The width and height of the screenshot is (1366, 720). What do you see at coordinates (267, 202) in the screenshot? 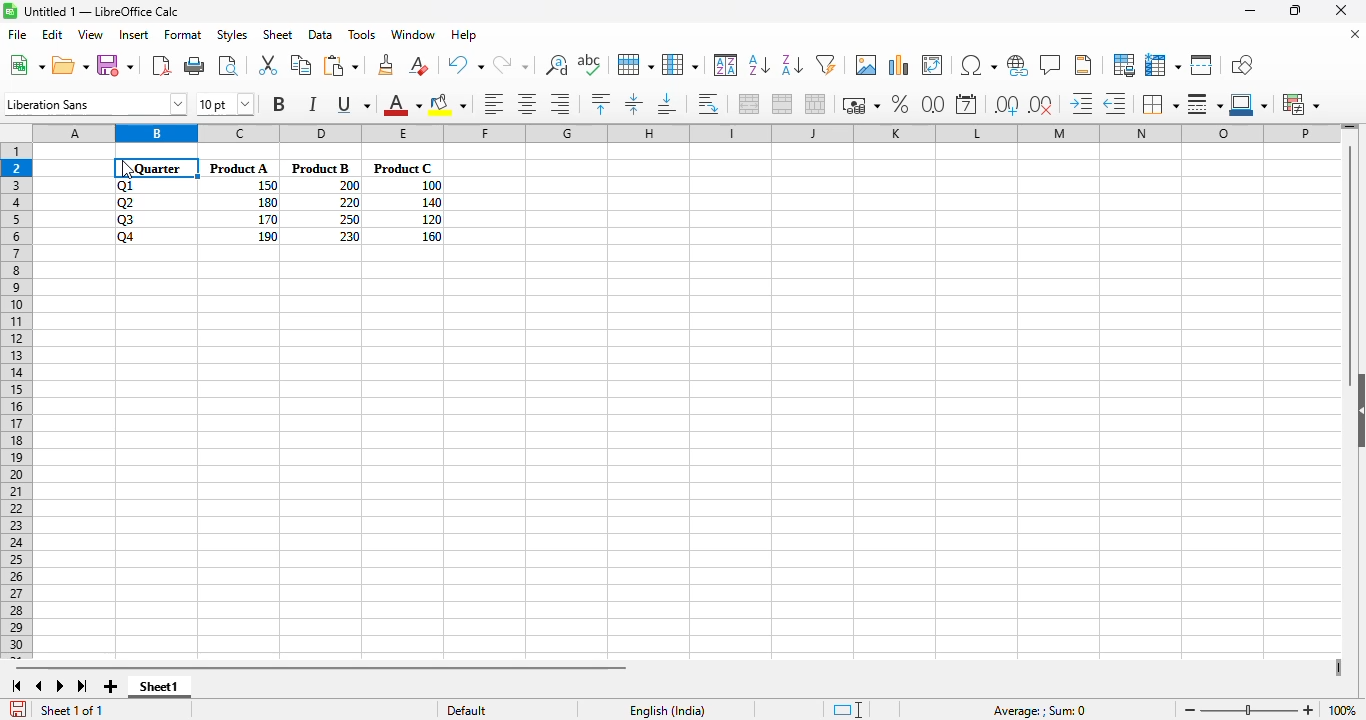
I see `180` at bounding box center [267, 202].